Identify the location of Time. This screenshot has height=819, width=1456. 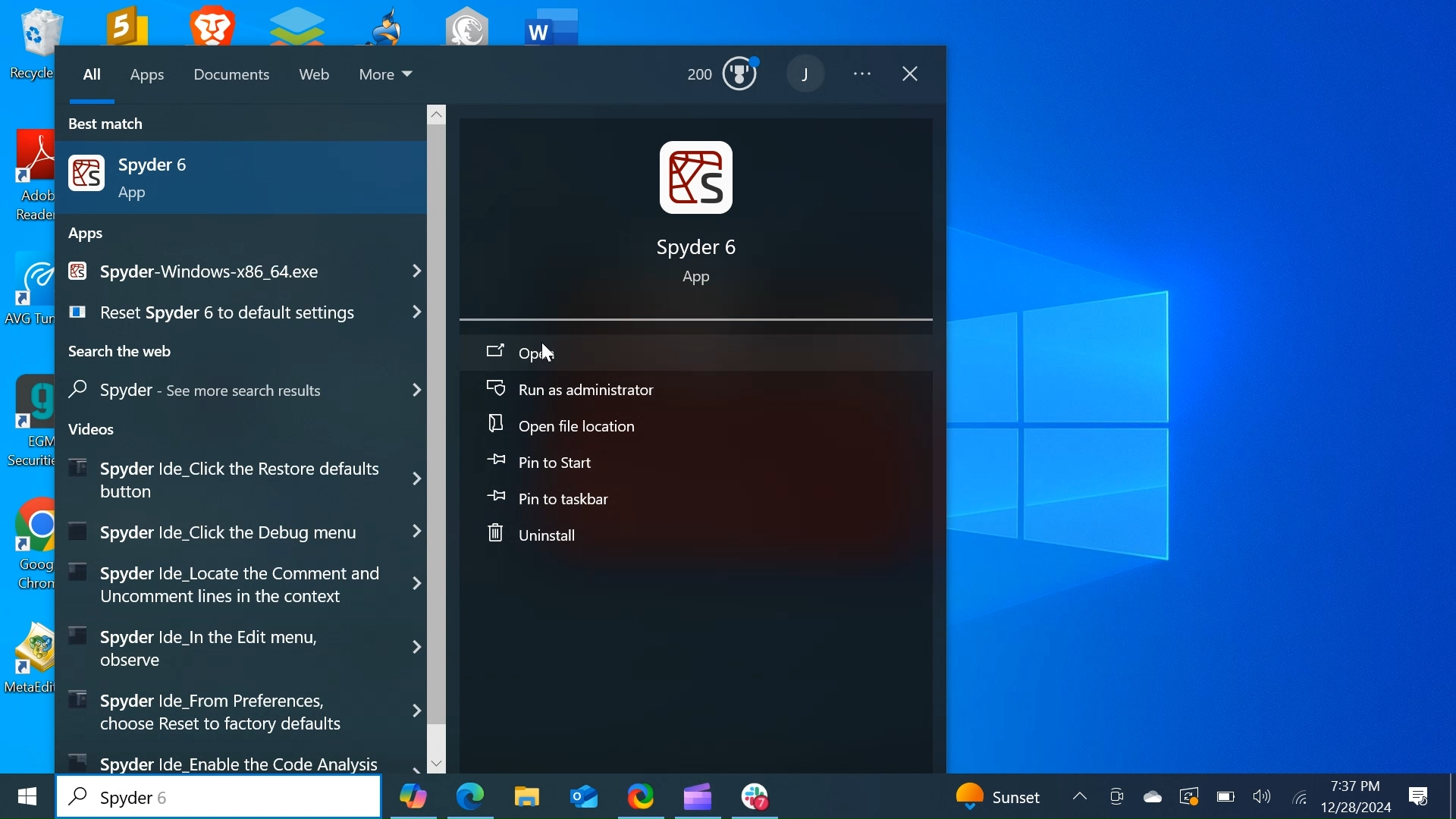
(1353, 786).